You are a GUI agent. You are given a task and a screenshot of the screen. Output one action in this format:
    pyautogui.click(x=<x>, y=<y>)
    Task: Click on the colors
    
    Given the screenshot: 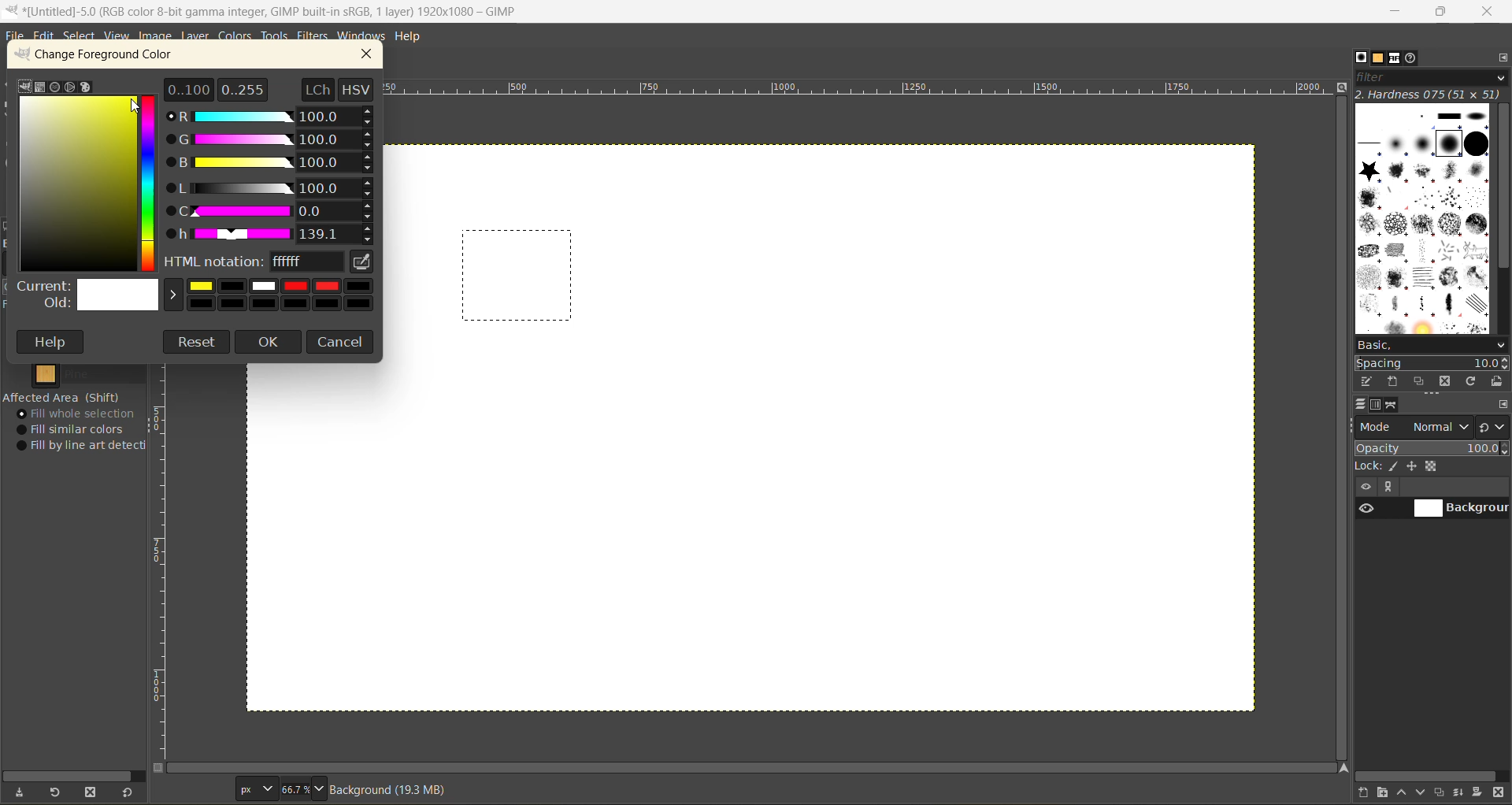 What is the action you would take?
    pyautogui.click(x=237, y=37)
    